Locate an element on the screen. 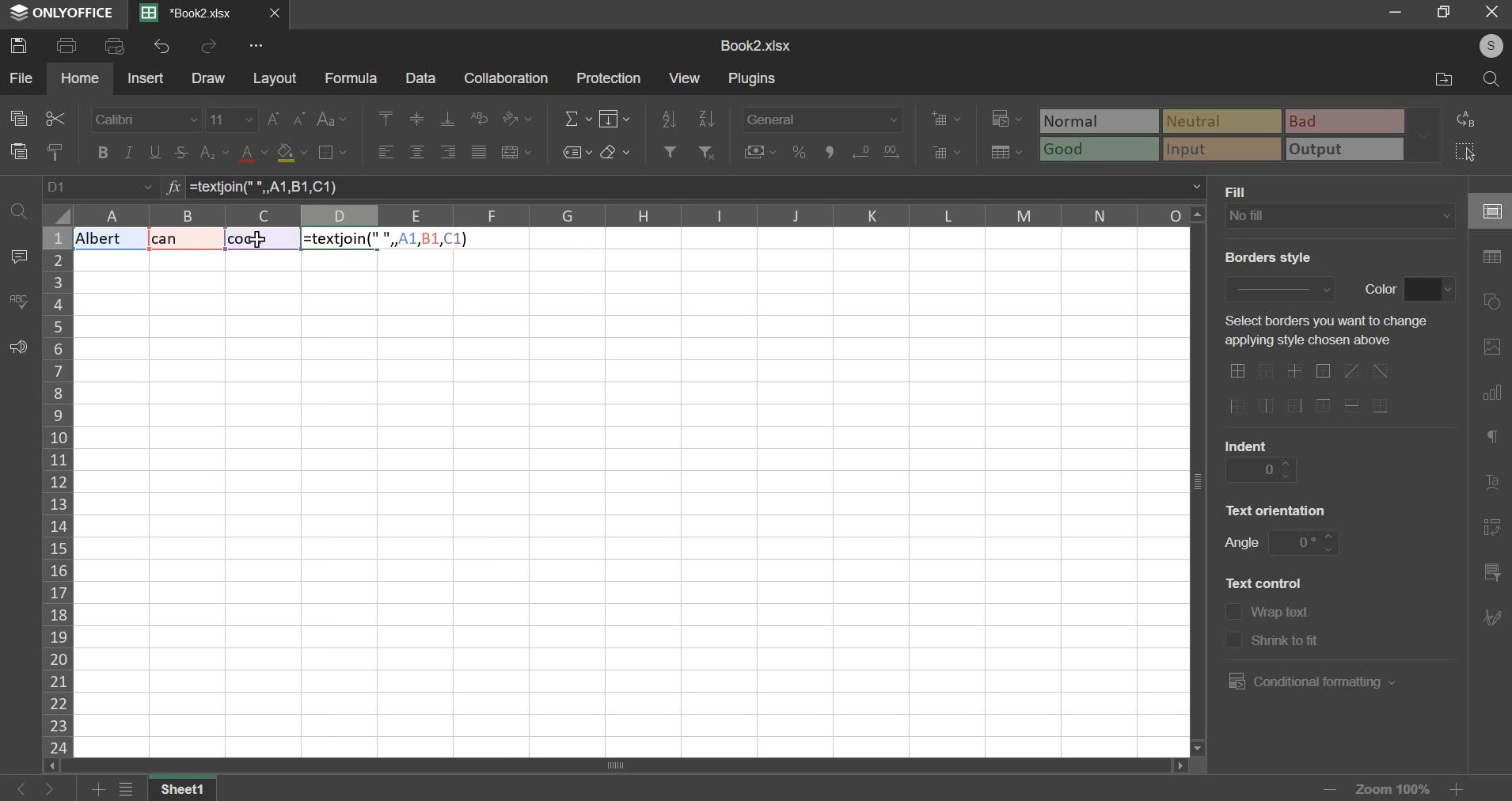 The height and width of the screenshot is (801, 1512). scroll bar is located at coordinates (613, 766).